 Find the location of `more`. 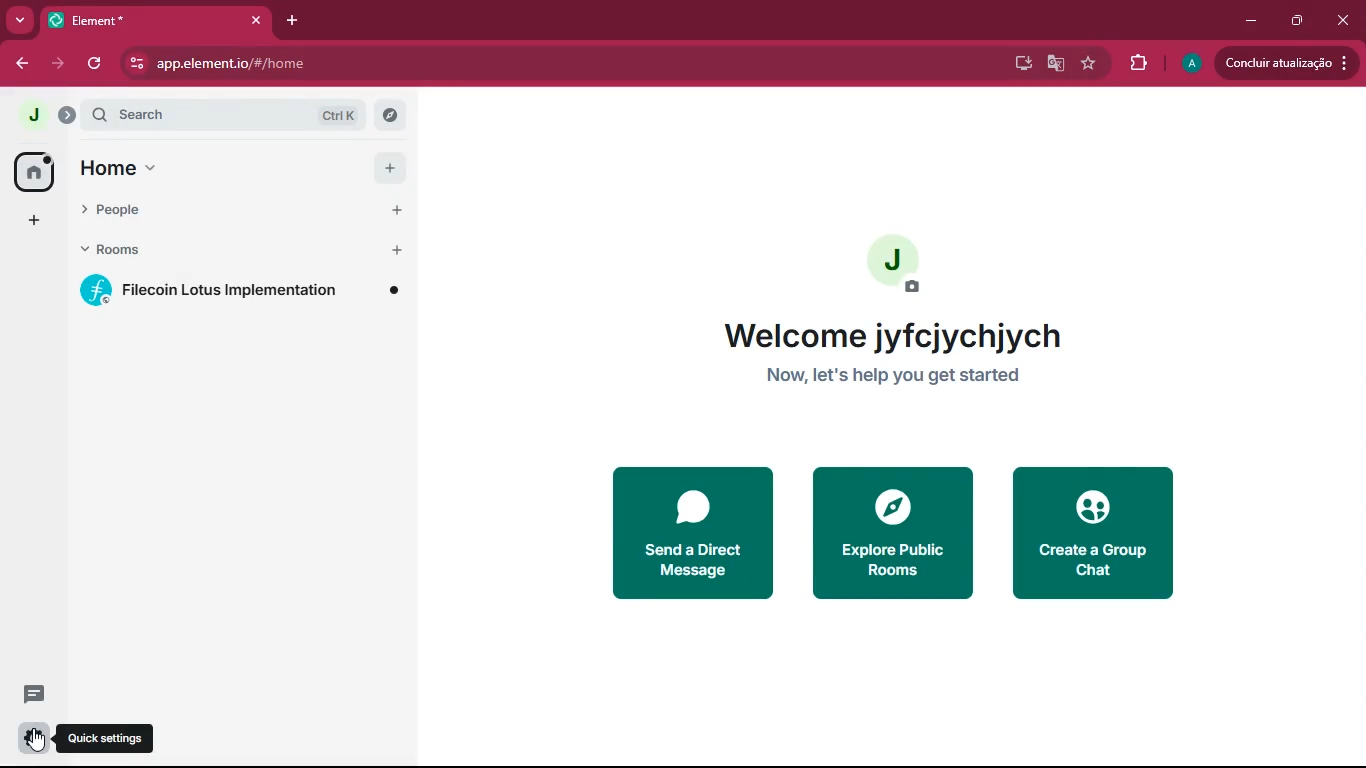

more is located at coordinates (18, 18).